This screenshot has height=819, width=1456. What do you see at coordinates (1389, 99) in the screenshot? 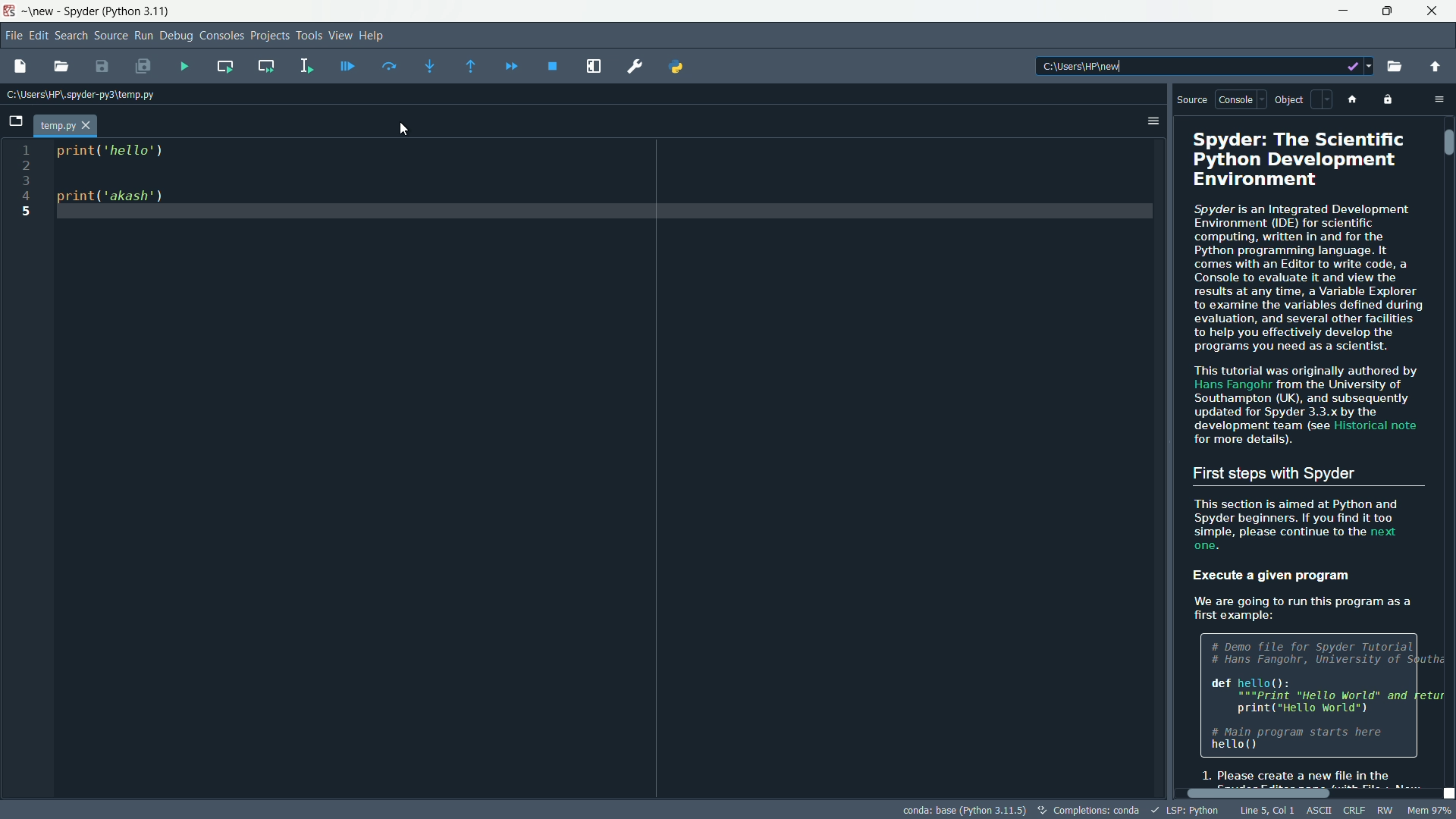
I see `lock` at bounding box center [1389, 99].